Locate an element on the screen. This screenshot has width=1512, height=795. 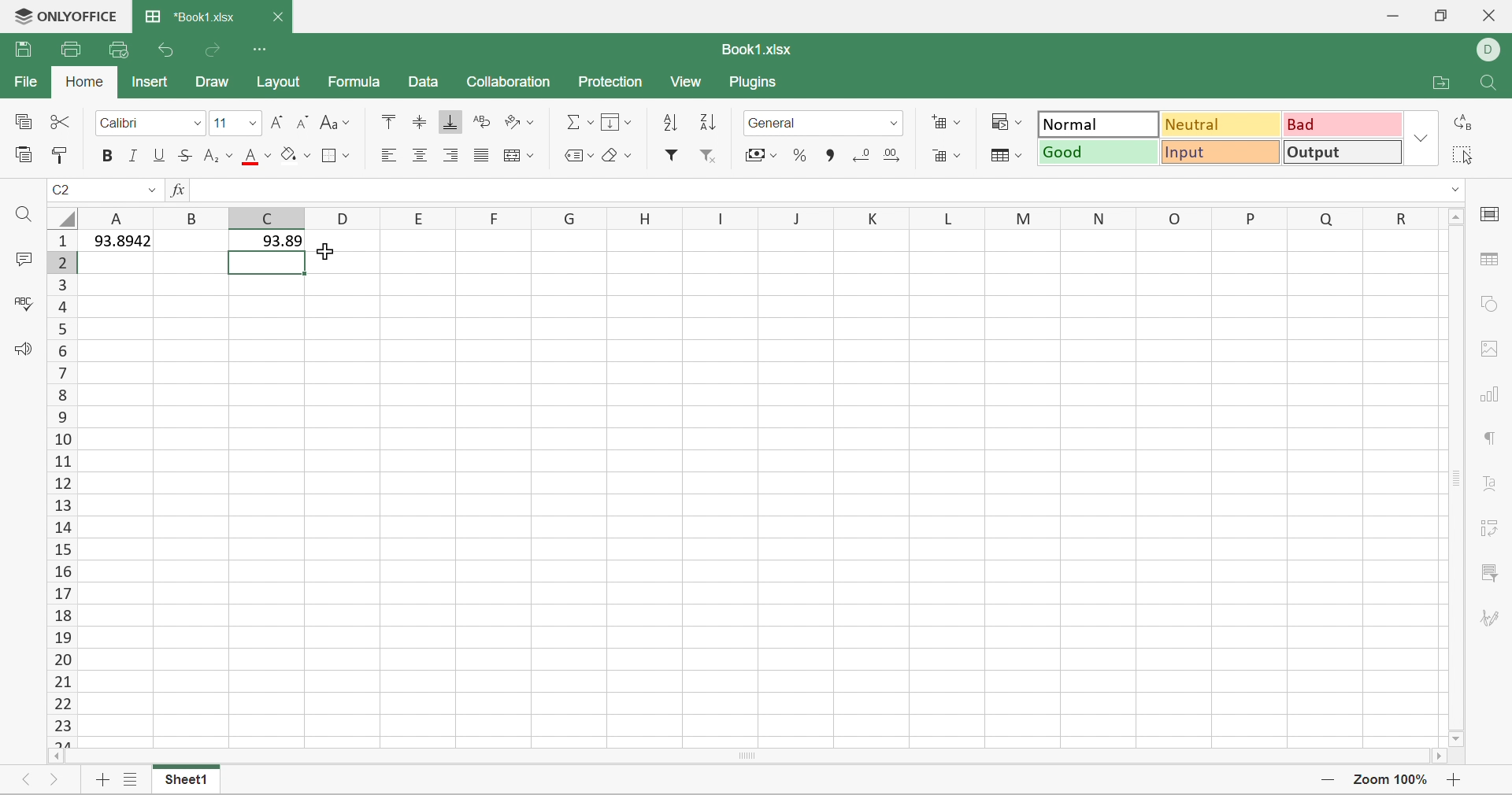
ONLYOFFICE is located at coordinates (62, 16).